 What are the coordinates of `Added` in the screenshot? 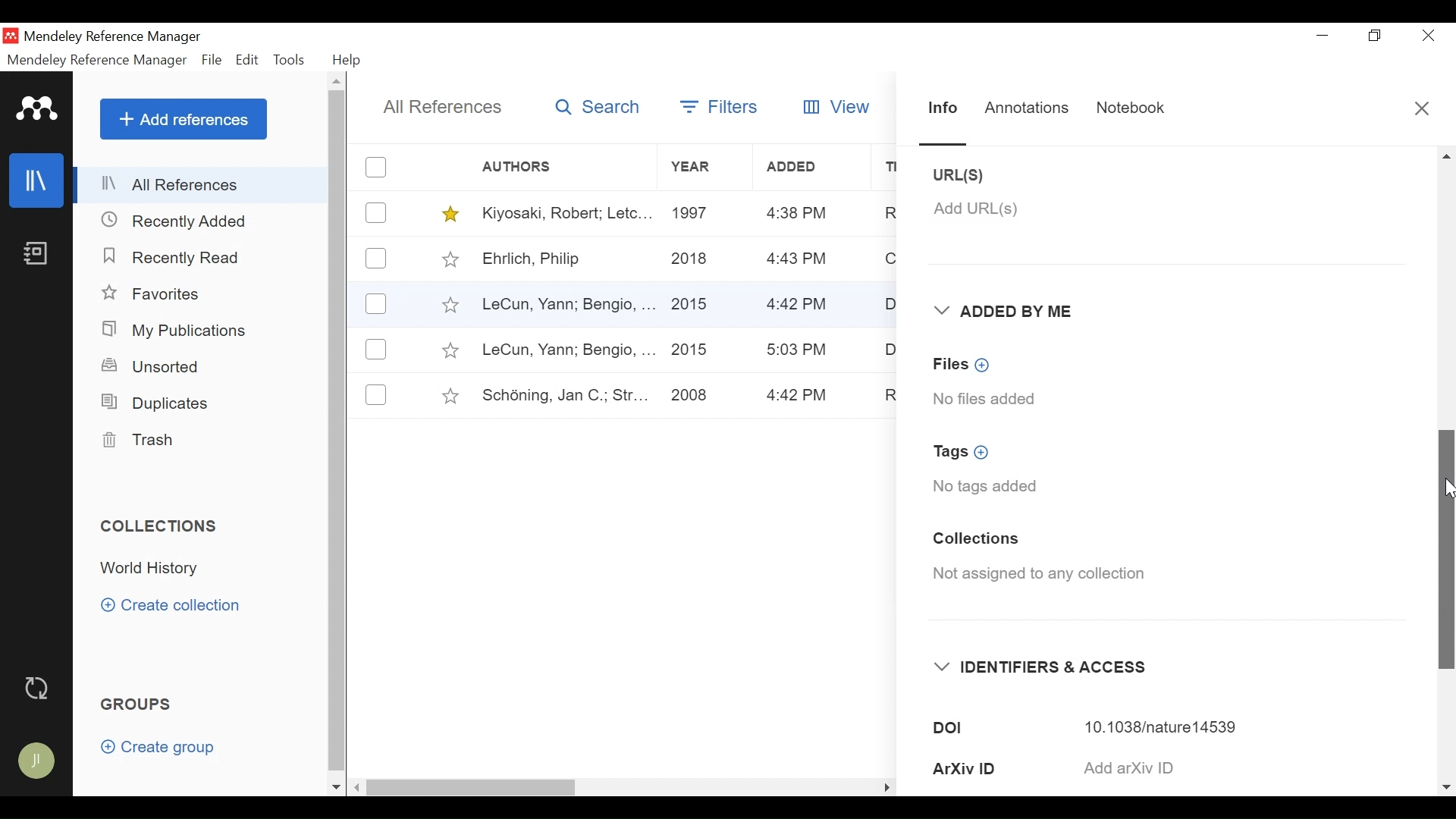 It's located at (814, 167).